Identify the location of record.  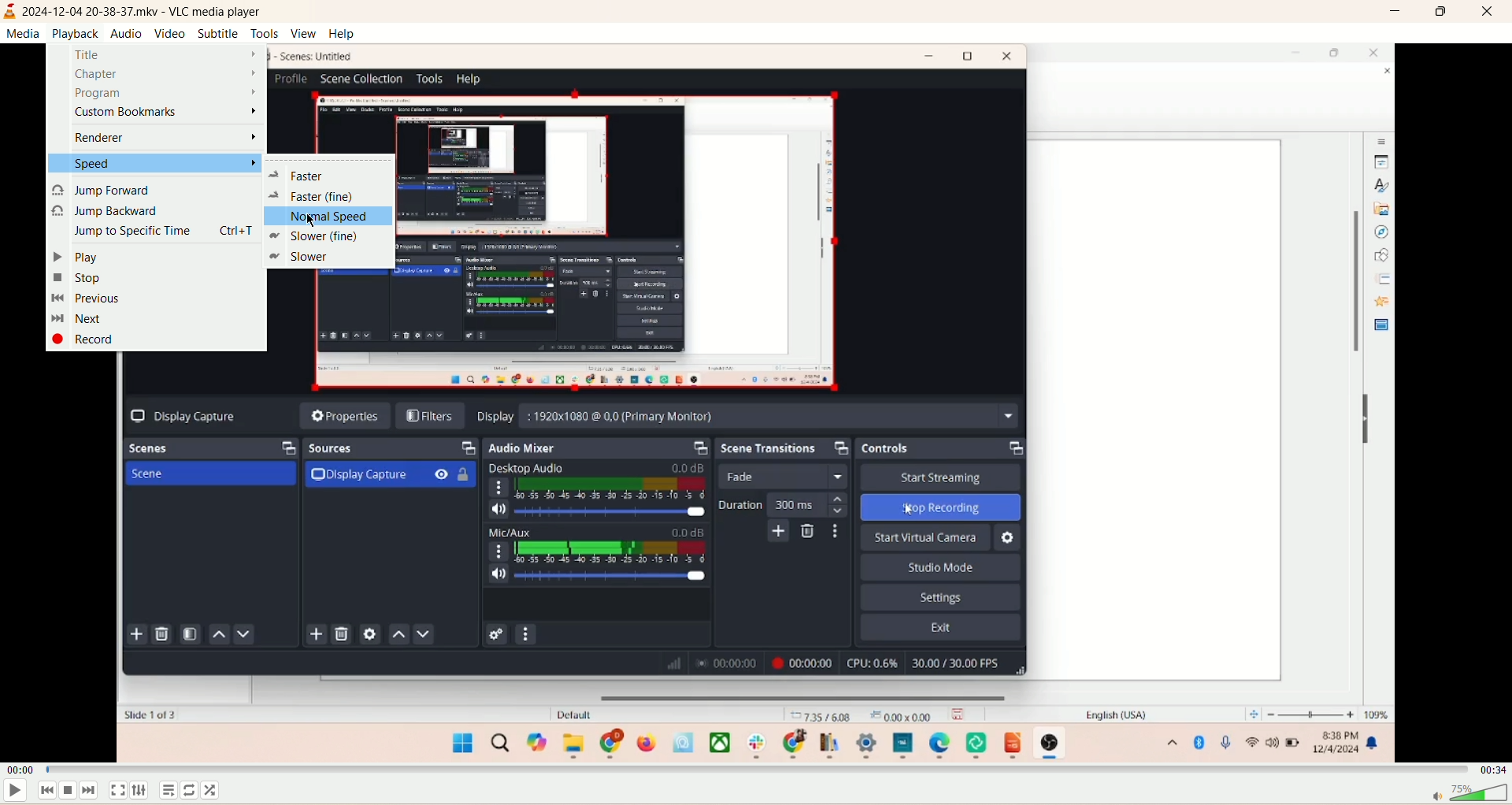
(82, 338).